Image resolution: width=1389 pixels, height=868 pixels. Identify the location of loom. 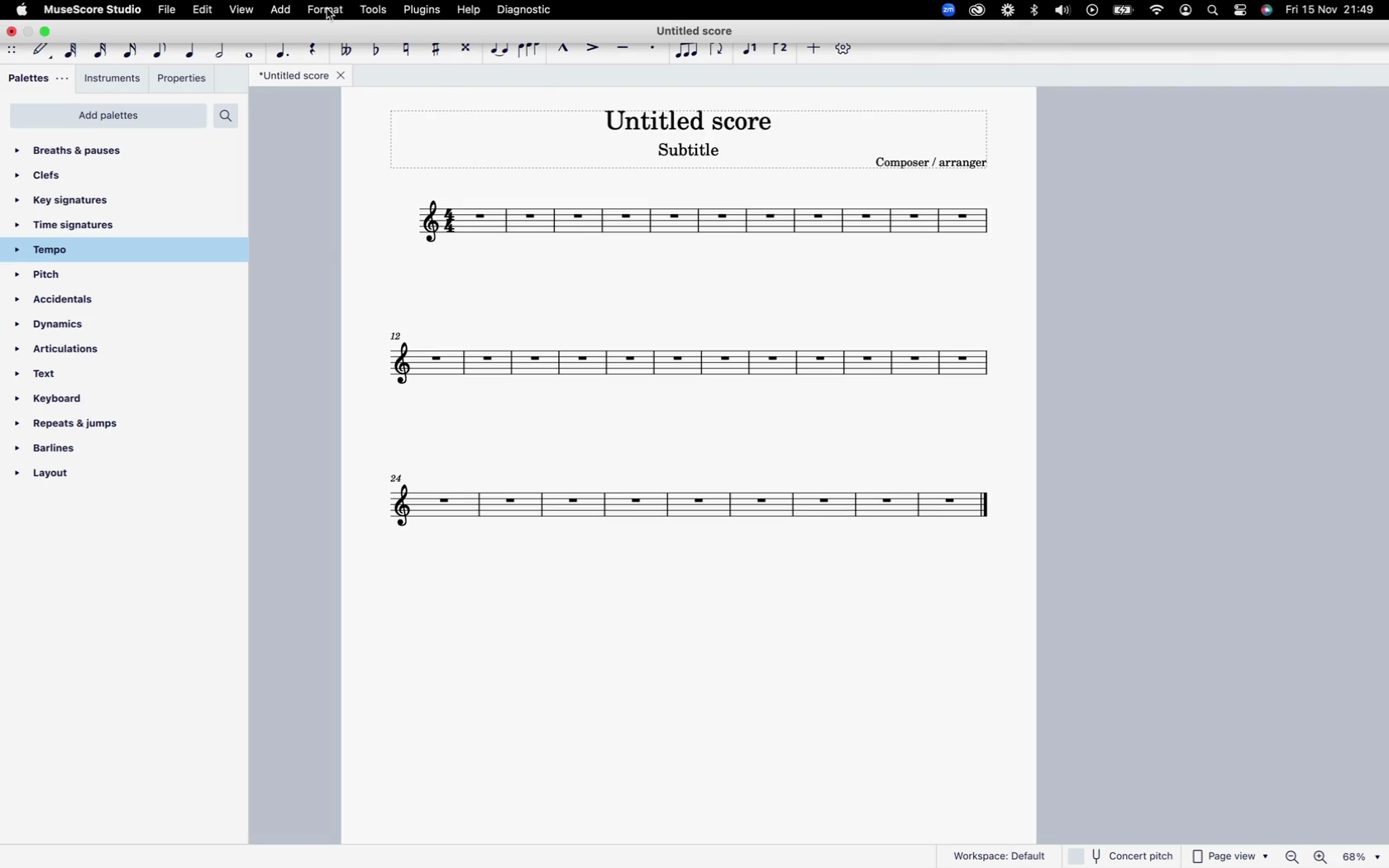
(1008, 10).